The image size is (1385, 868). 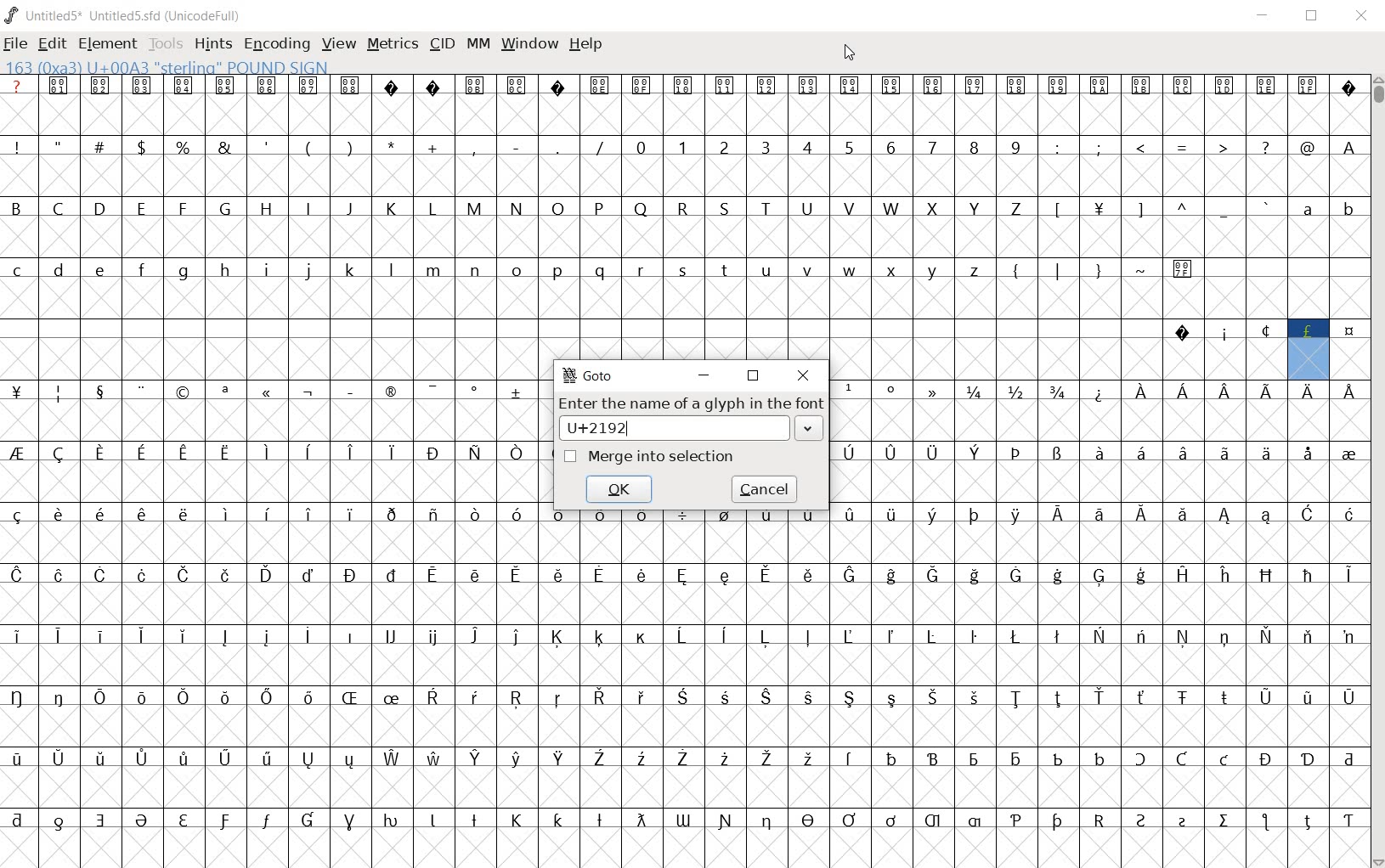 What do you see at coordinates (16, 42) in the screenshot?
I see `FILE` at bounding box center [16, 42].